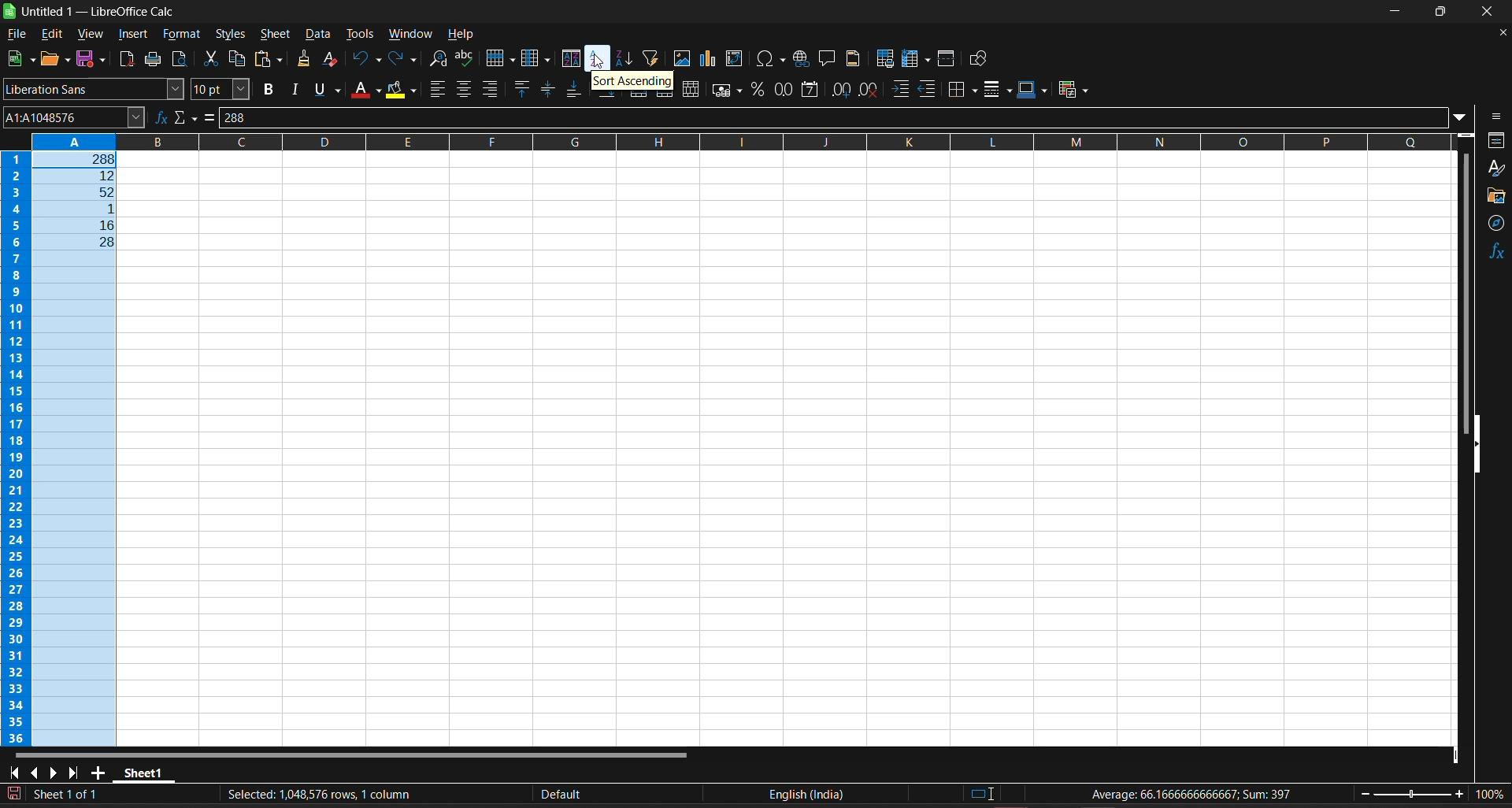 The image size is (1512, 808). I want to click on format as percent, so click(758, 89).